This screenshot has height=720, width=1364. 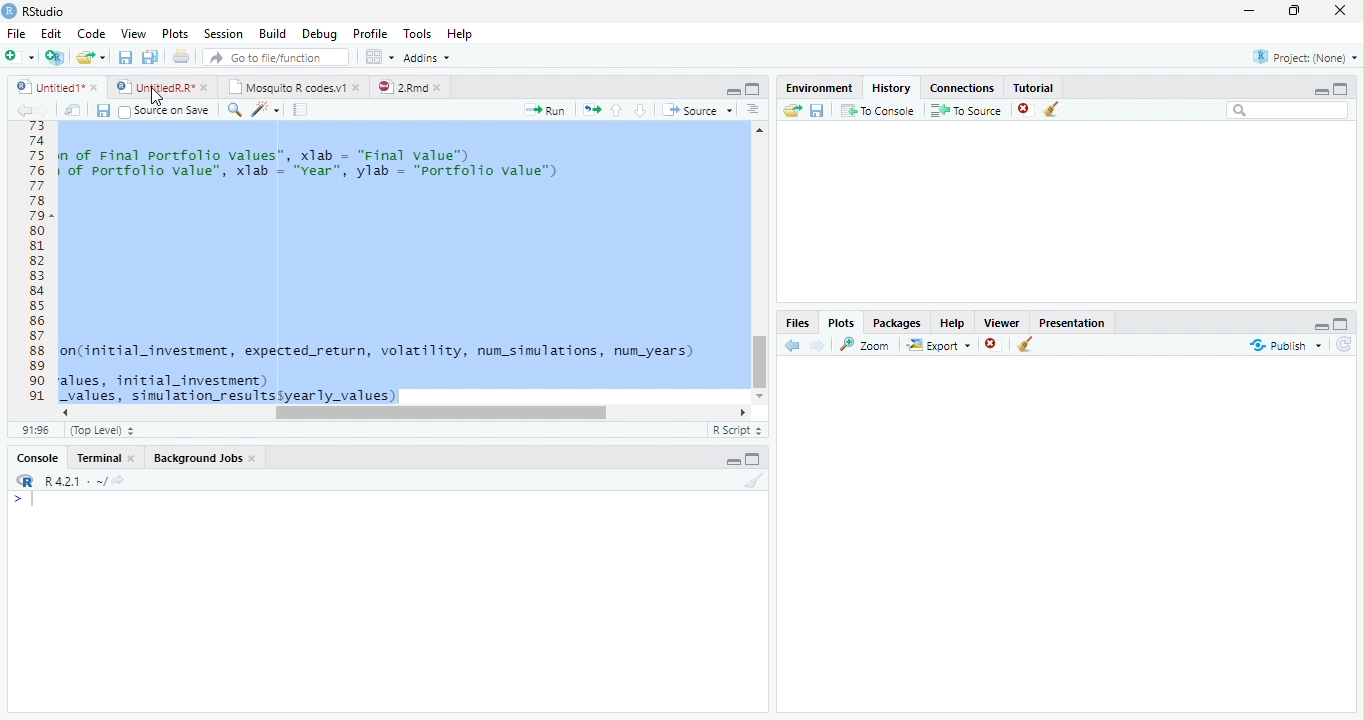 What do you see at coordinates (149, 57) in the screenshot?
I see `Save all open files` at bounding box center [149, 57].